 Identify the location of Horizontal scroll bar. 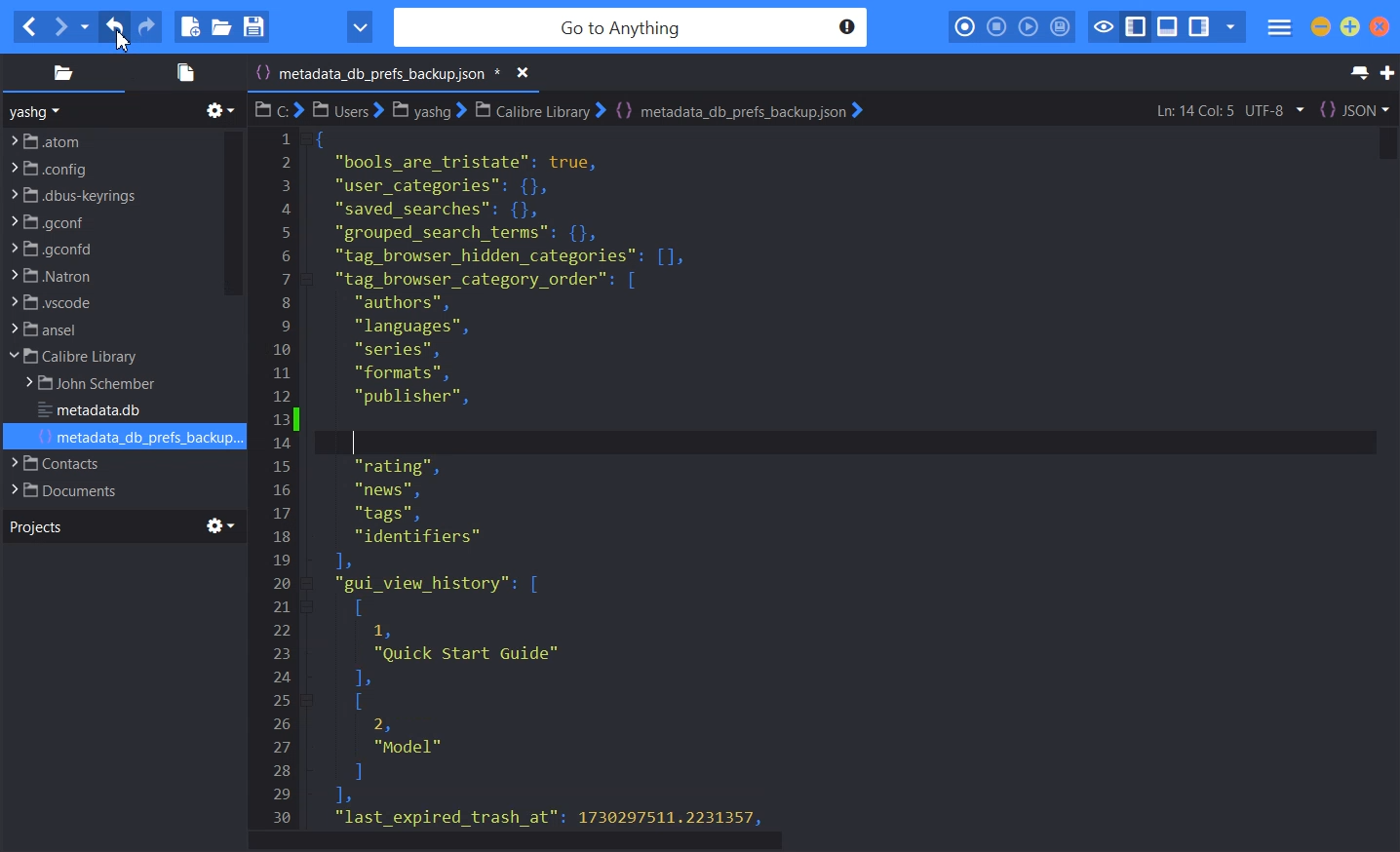
(823, 841).